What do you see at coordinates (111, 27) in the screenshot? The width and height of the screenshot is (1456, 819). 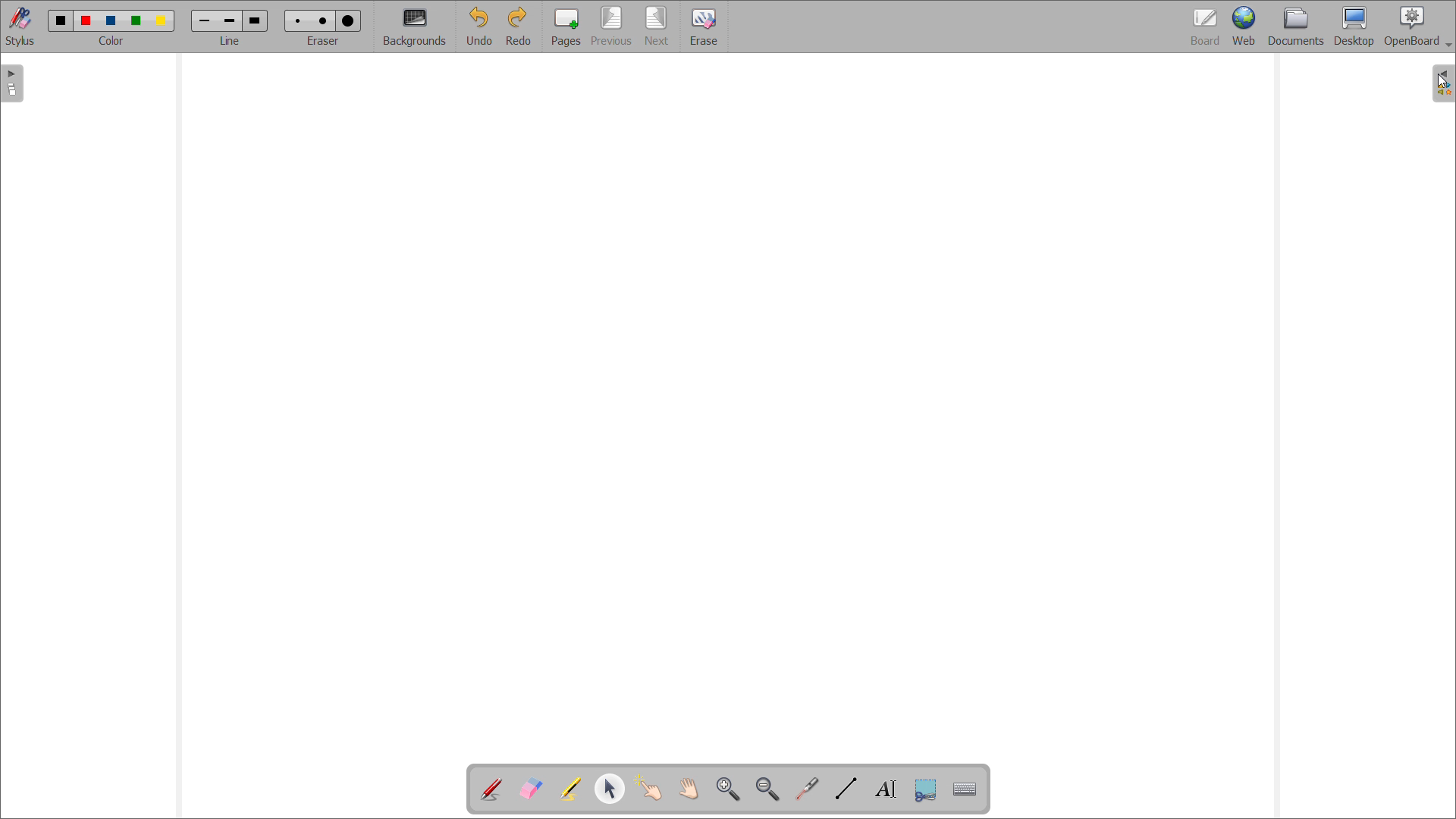 I see `select color` at bounding box center [111, 27].